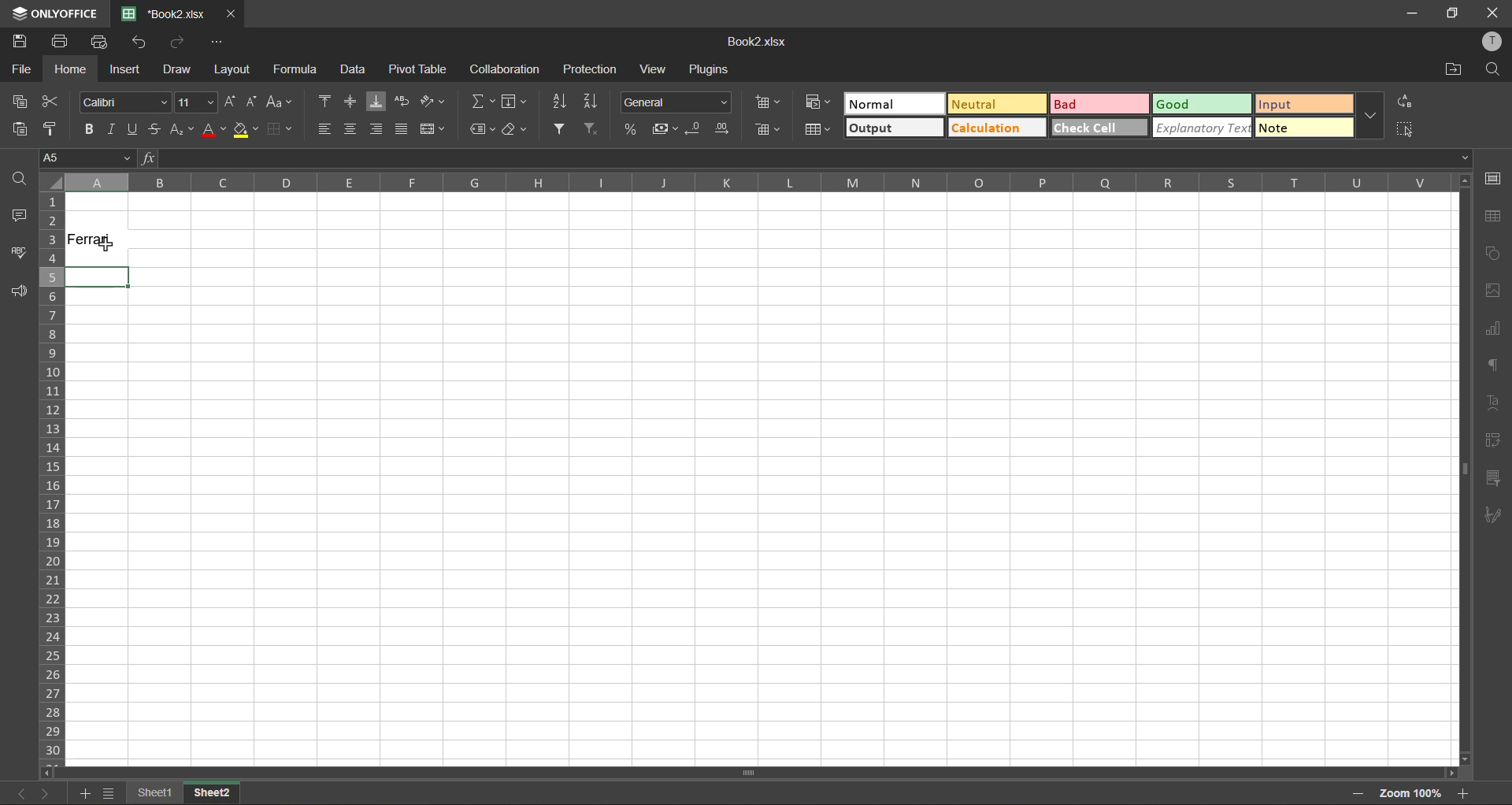 This screenshot has height=805, width=1512. What do you see at coordinates (761, 42) in the screenshot?
I see `Book2.xlsx` at bounding box center [761, 42].